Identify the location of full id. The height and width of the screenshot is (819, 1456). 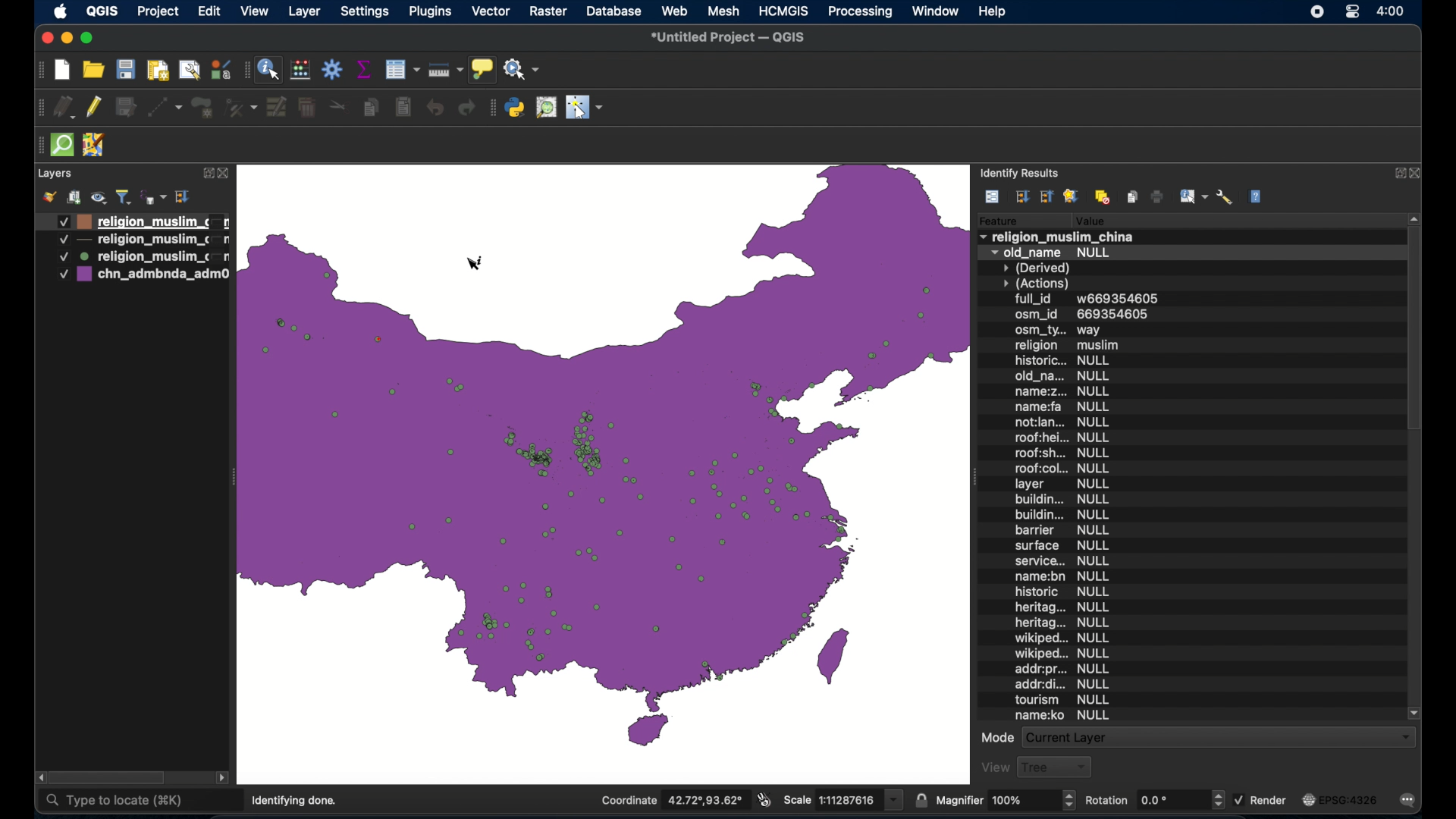
(1087, 300).